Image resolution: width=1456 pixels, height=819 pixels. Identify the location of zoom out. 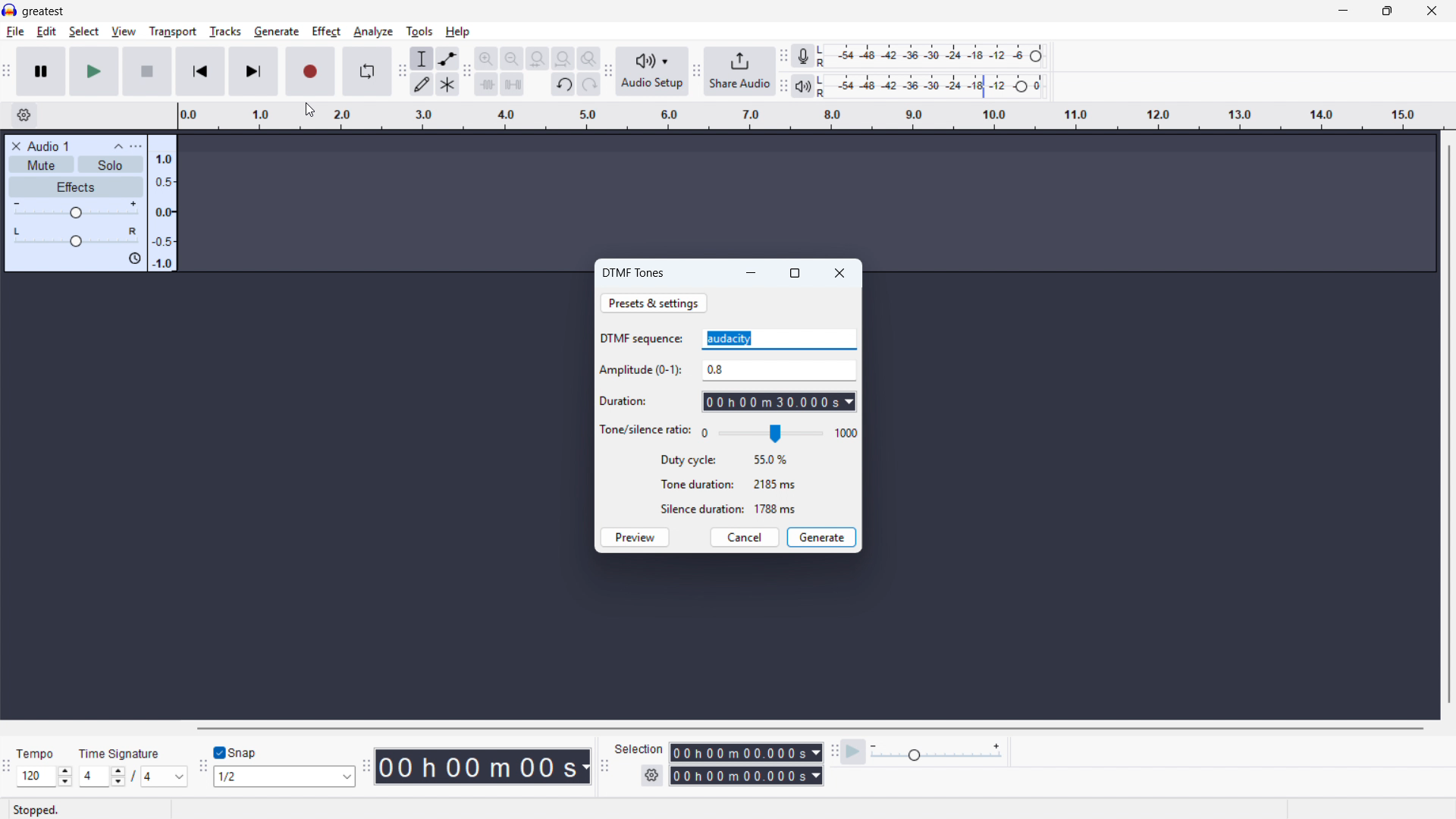
(513, 58).